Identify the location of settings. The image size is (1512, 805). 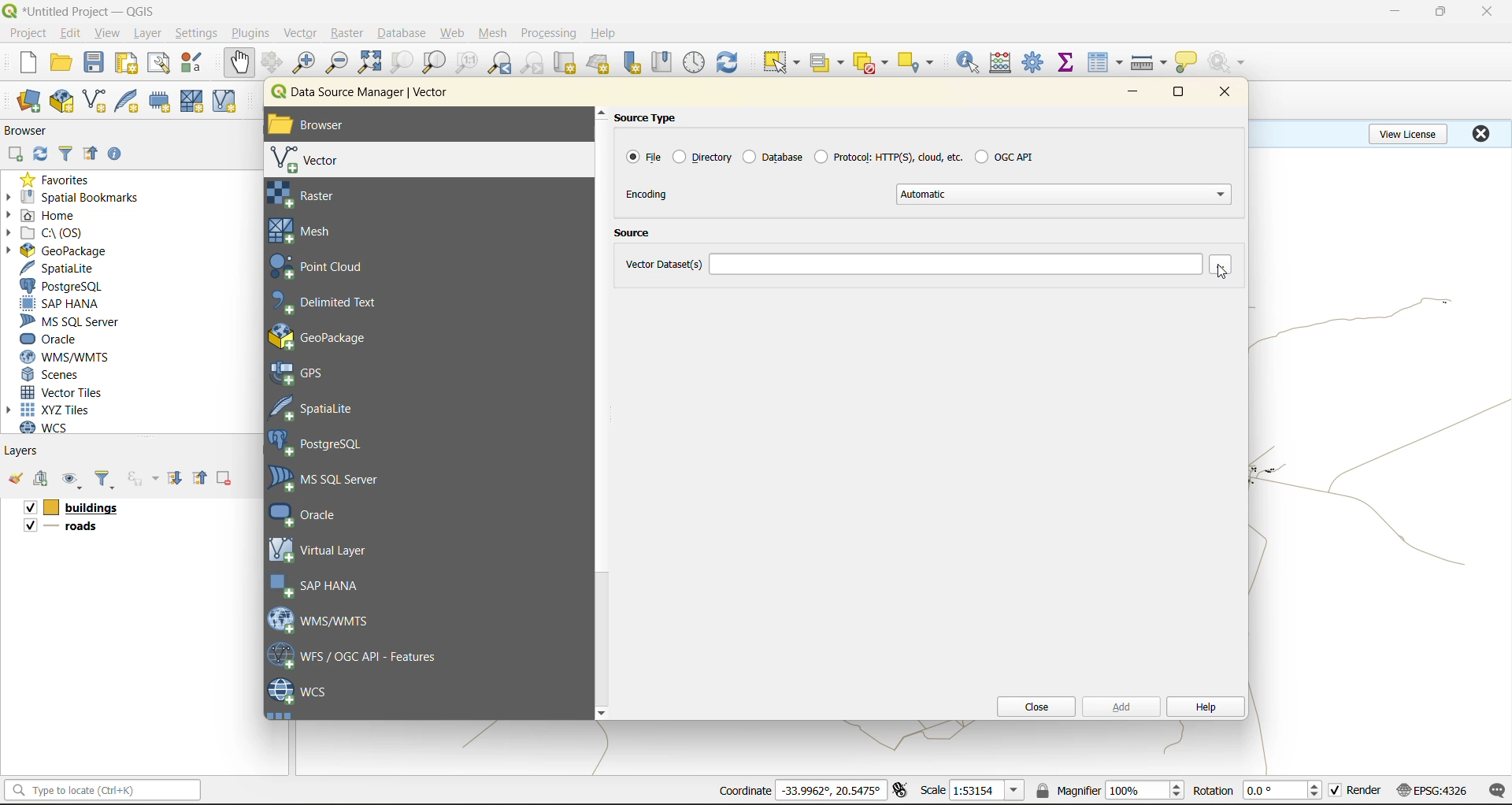
(196, 35).